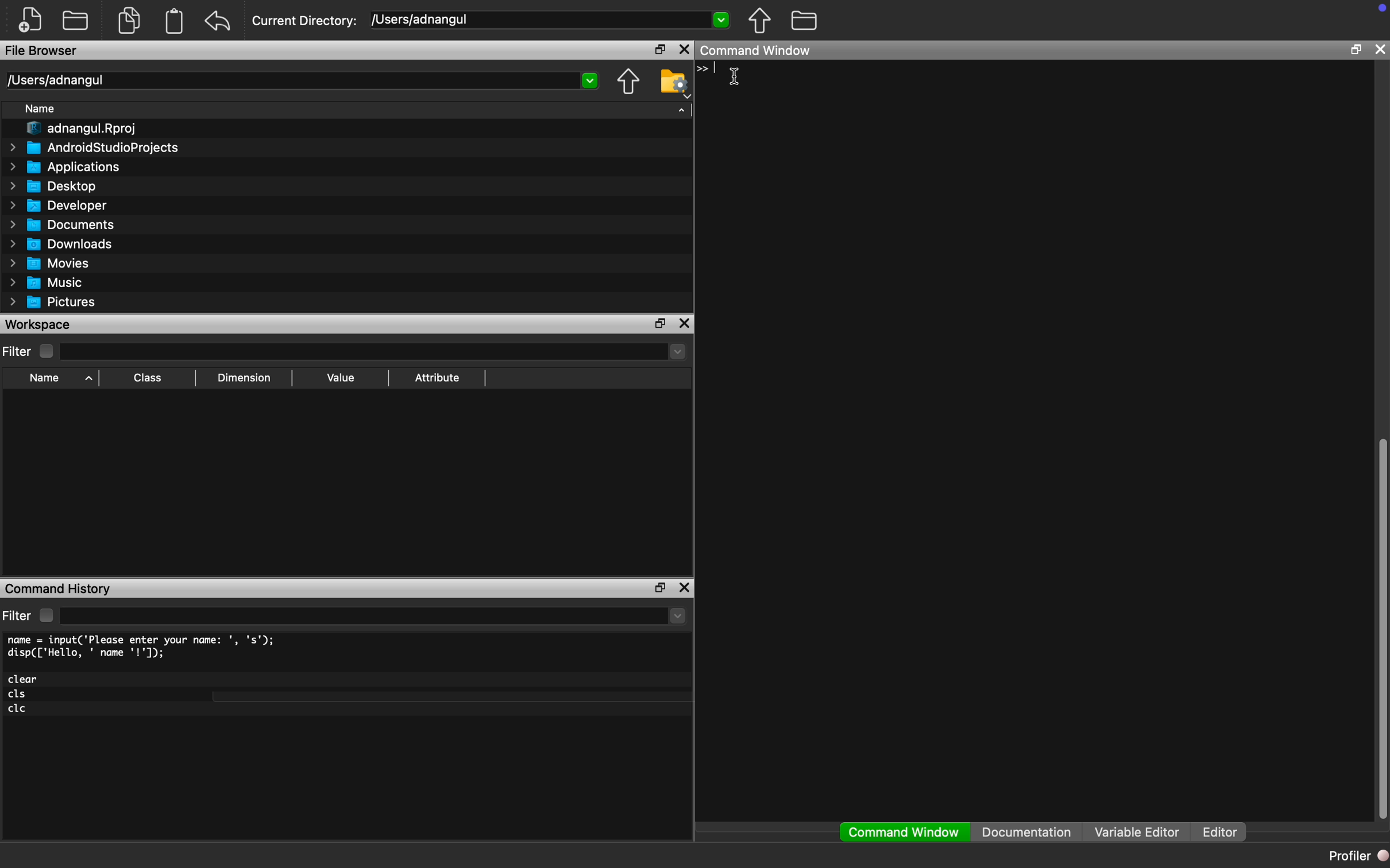 This screenshot has height=868, width=1390. I want to click on Name , so click(58, 379).